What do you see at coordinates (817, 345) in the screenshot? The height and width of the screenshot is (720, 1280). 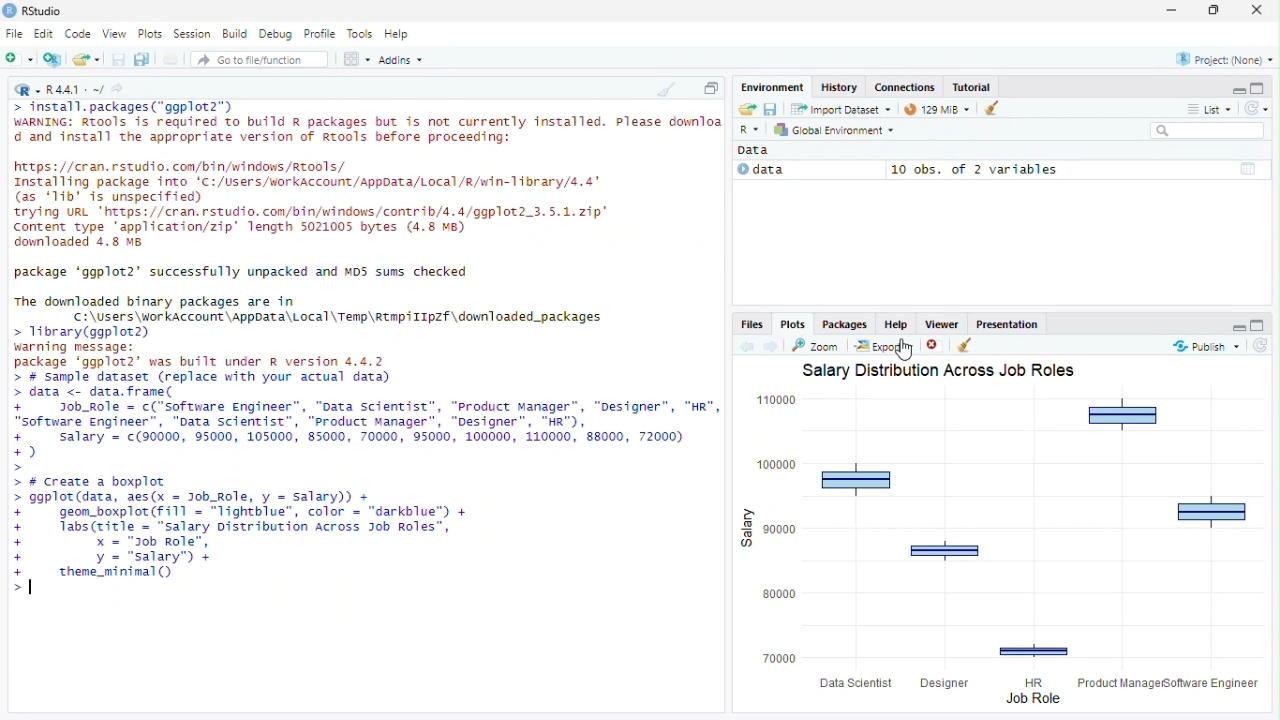 I see `Zoom` at bounding box center [817, 345].